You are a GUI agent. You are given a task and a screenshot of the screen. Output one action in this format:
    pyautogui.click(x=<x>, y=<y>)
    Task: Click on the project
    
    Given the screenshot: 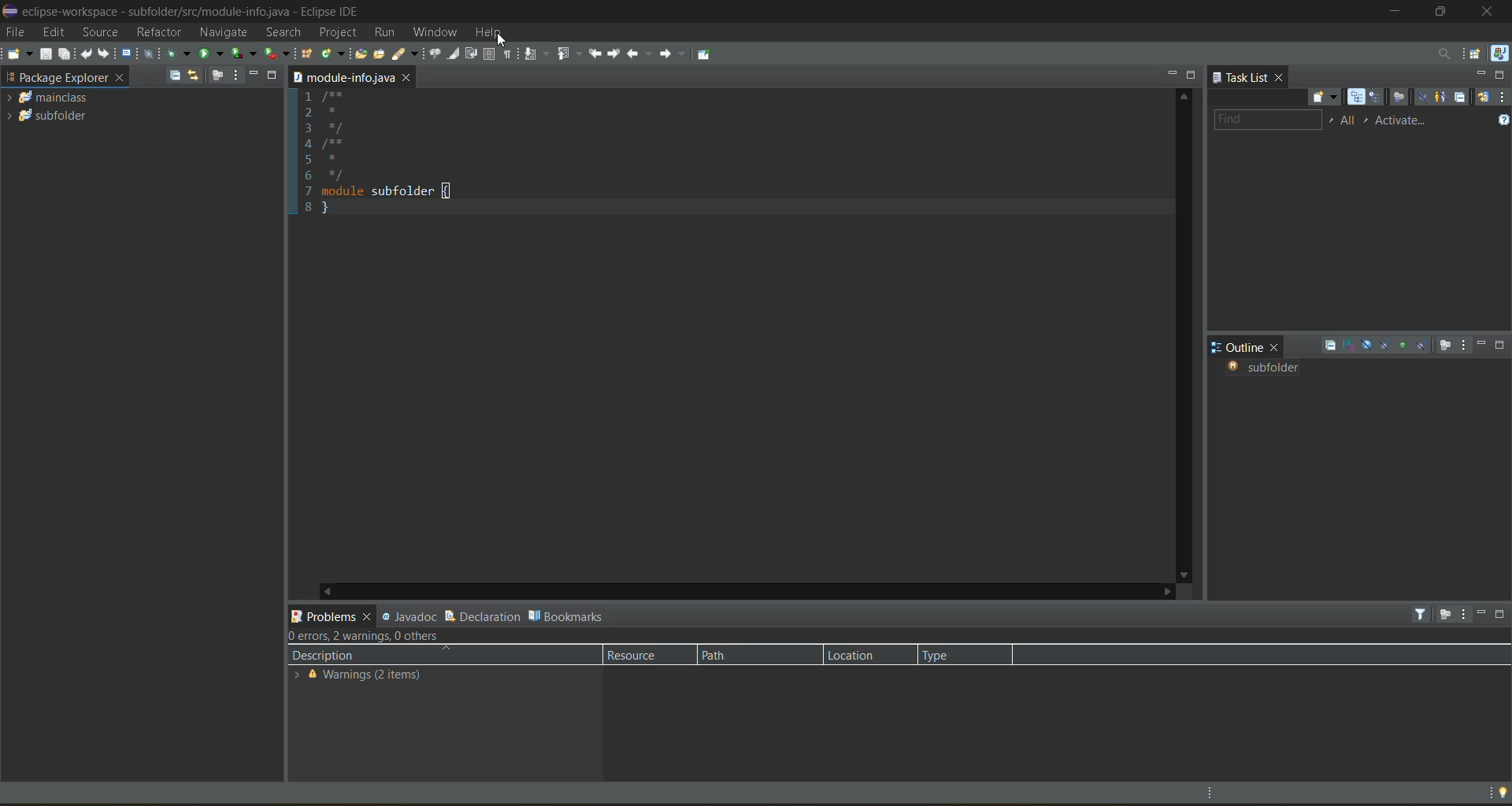 What is the action you would take?
    pyautogui.click(x=336, y=31)
    